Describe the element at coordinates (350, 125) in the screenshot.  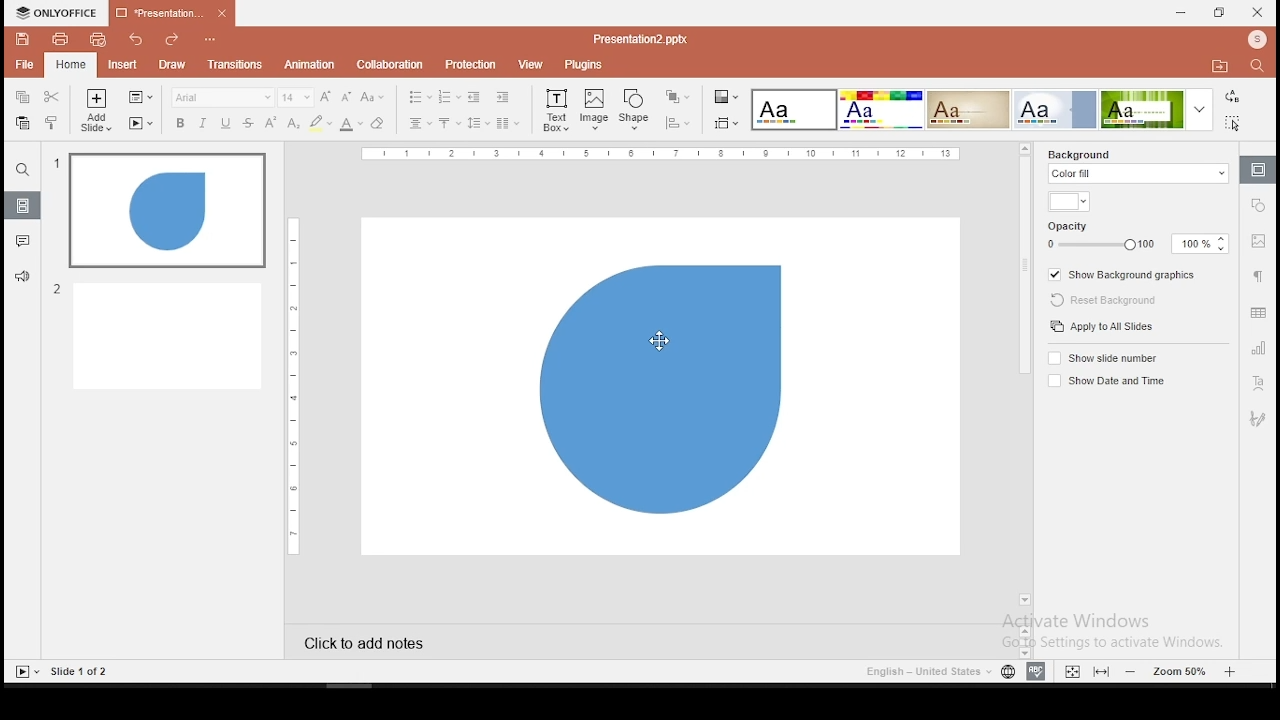
I see `font color` at that location.